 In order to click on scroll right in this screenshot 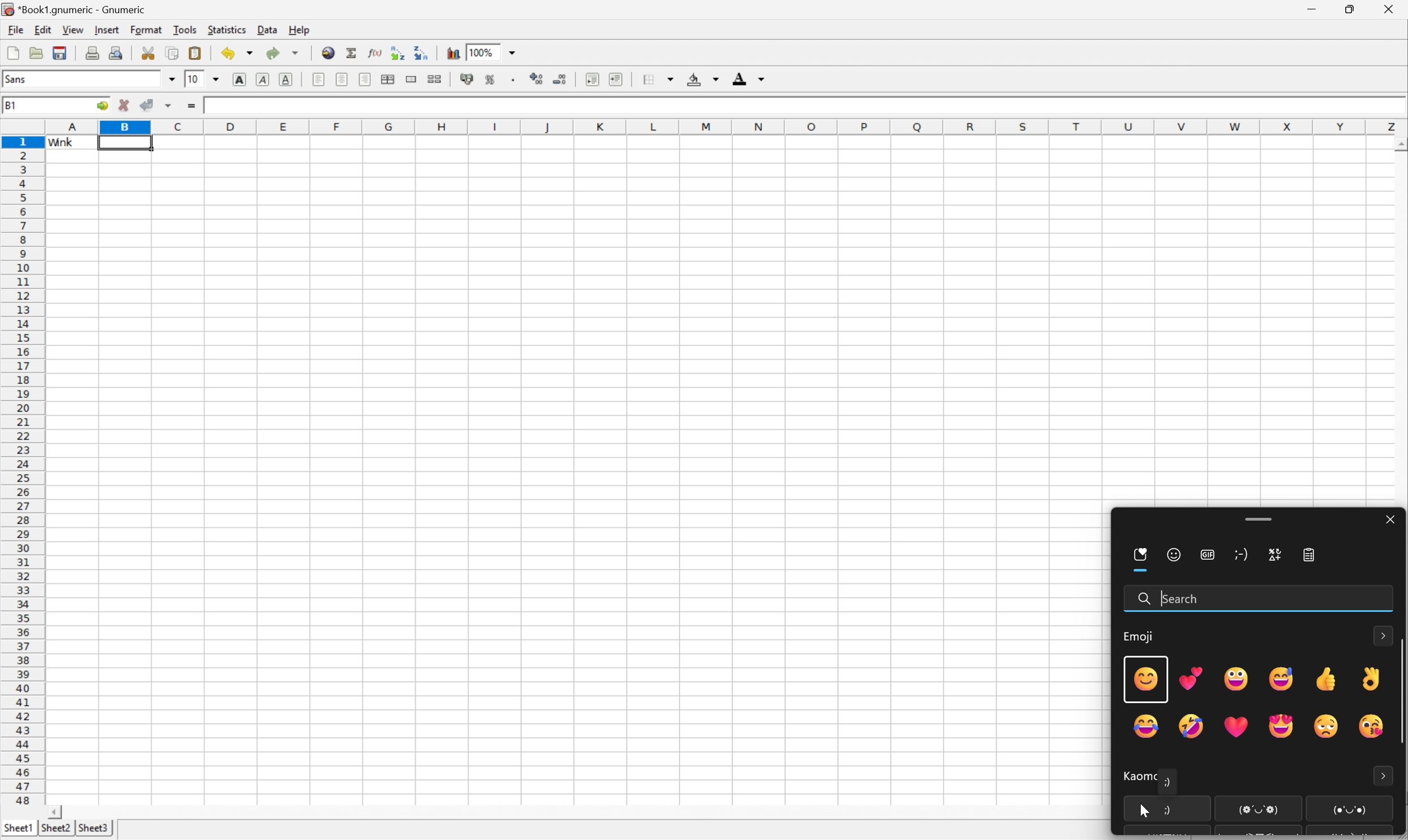, I will do `click(53, 811)`.